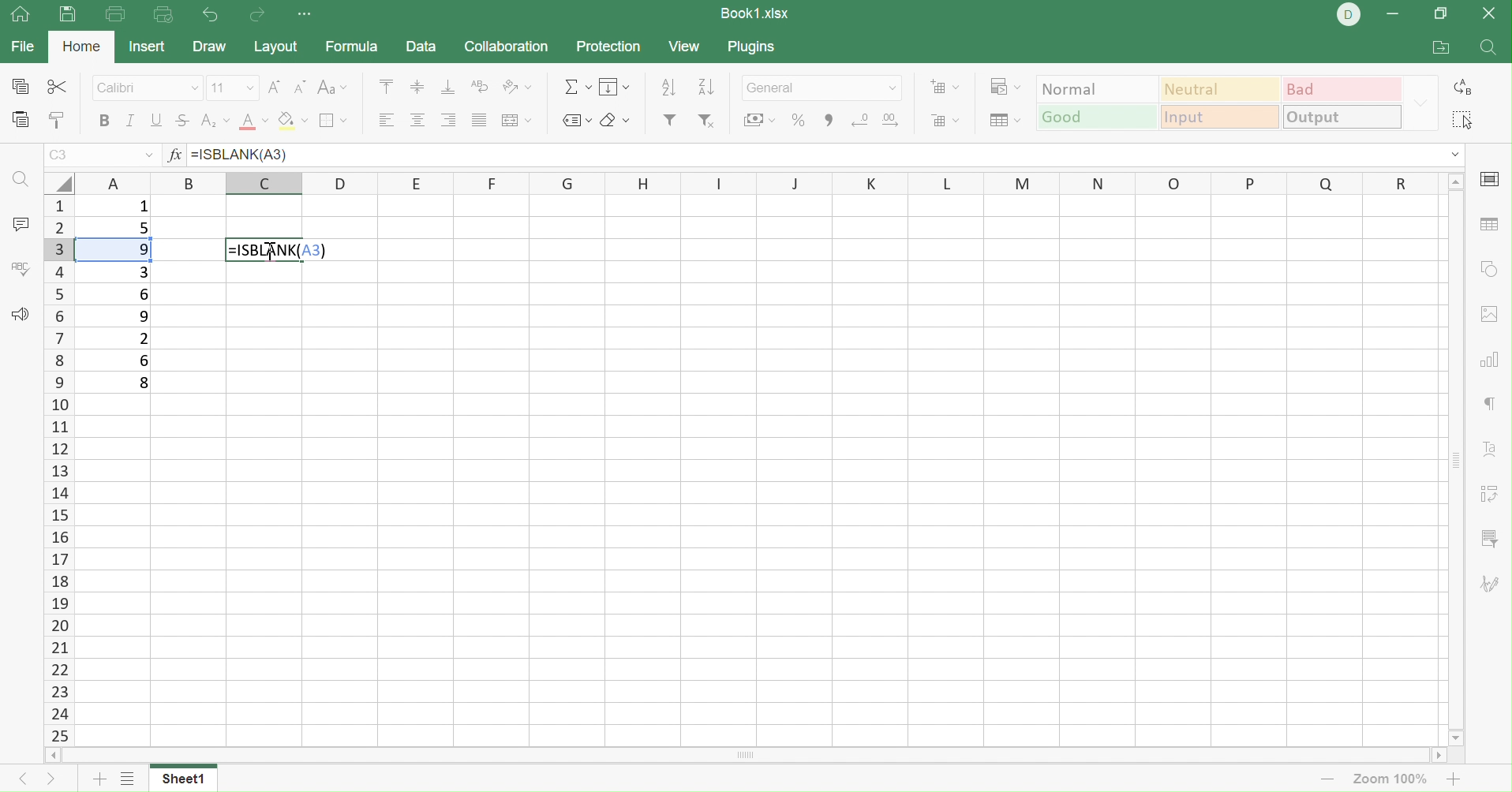 The image size is (1512, 792). What do you see at coordinates (20, 268) in the screenshot?
I see `Spell checking` at bounding box center [20, 268].